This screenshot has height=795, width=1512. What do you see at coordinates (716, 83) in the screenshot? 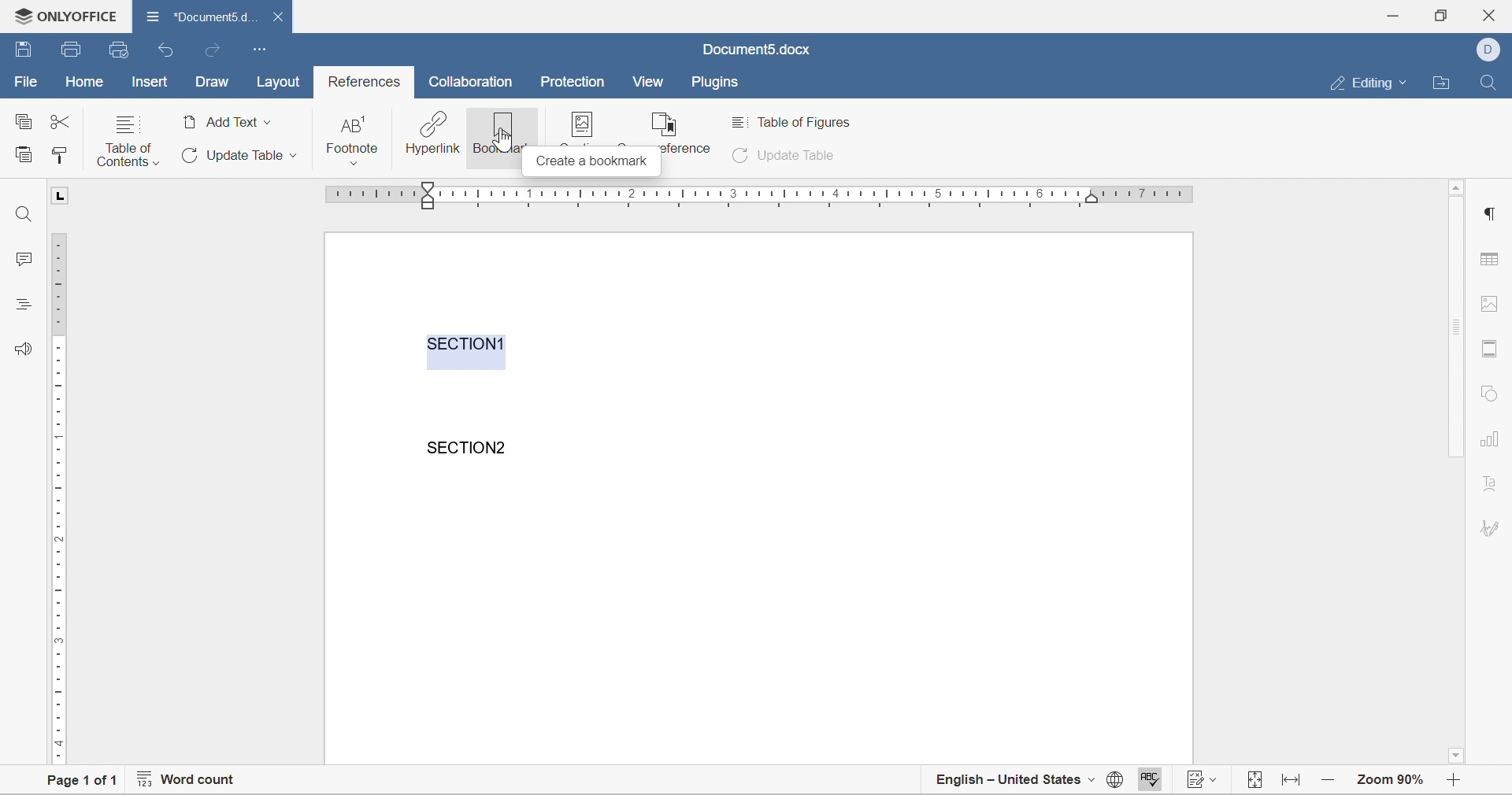
I see `plugins` at bounding box center [716, 83].